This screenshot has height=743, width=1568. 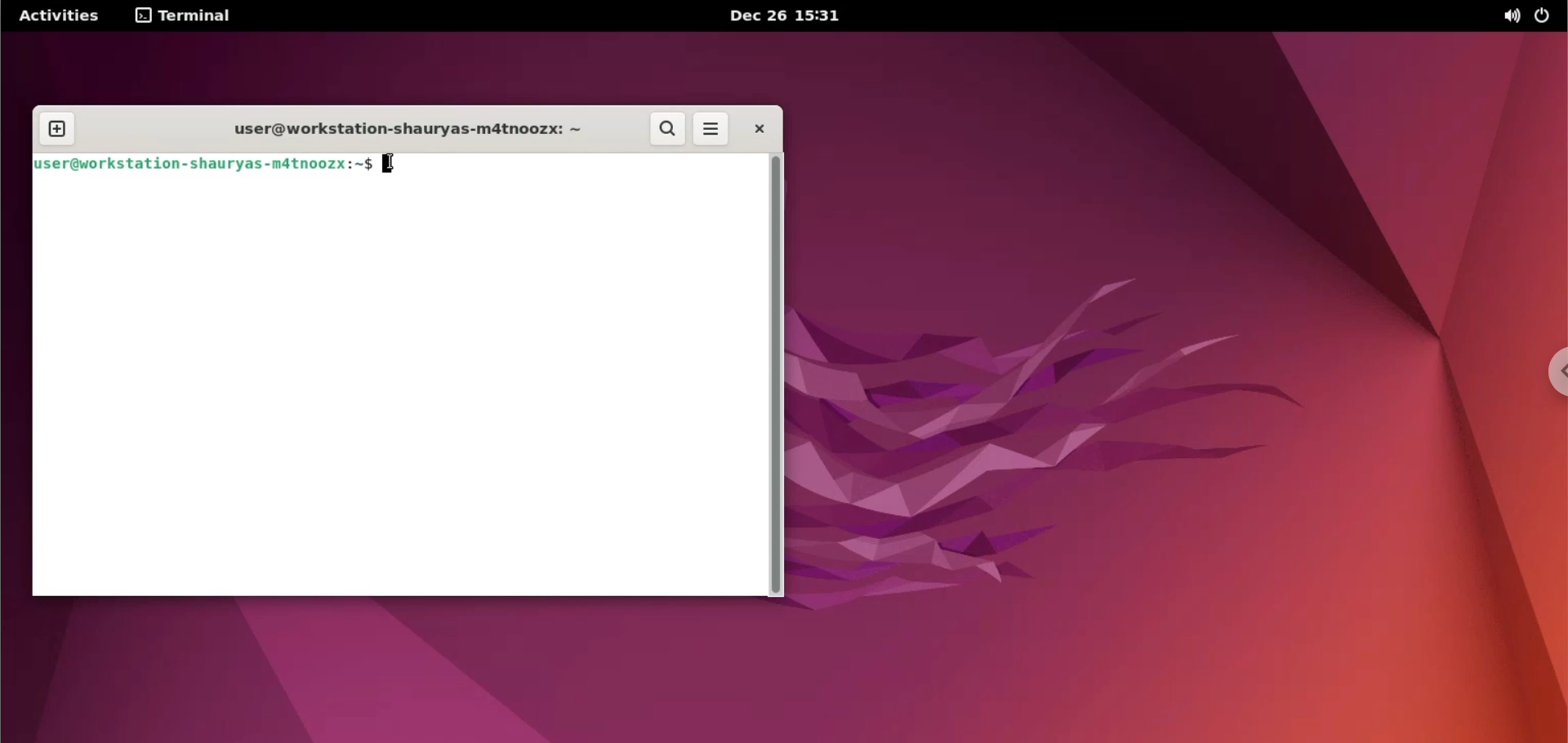 I want to click on search, so click(x=666, y=130).